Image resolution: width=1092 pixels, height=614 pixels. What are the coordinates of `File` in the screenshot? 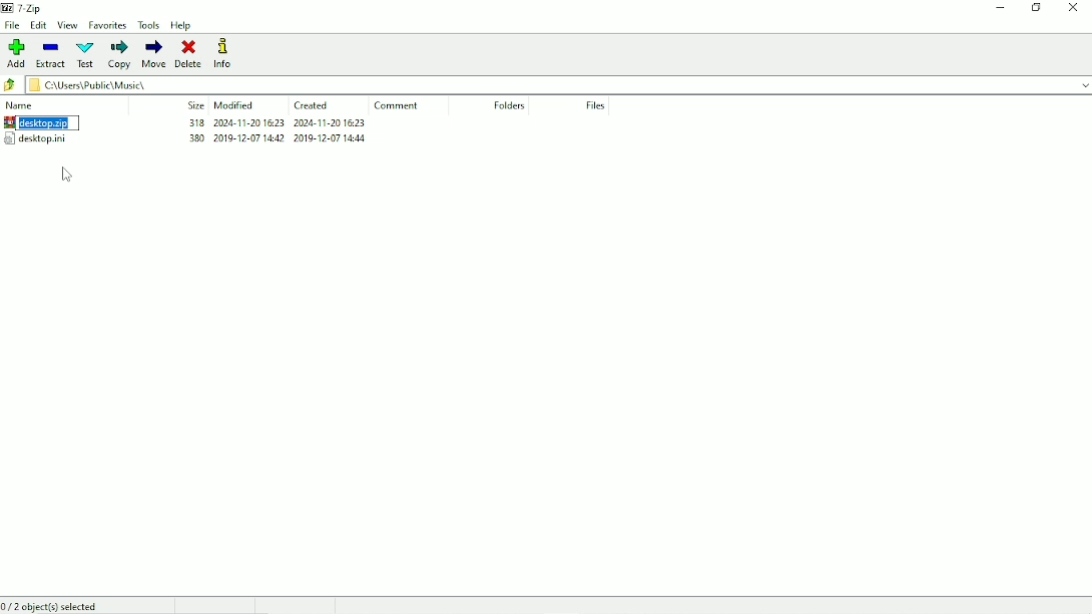 It's located at (13, 26).